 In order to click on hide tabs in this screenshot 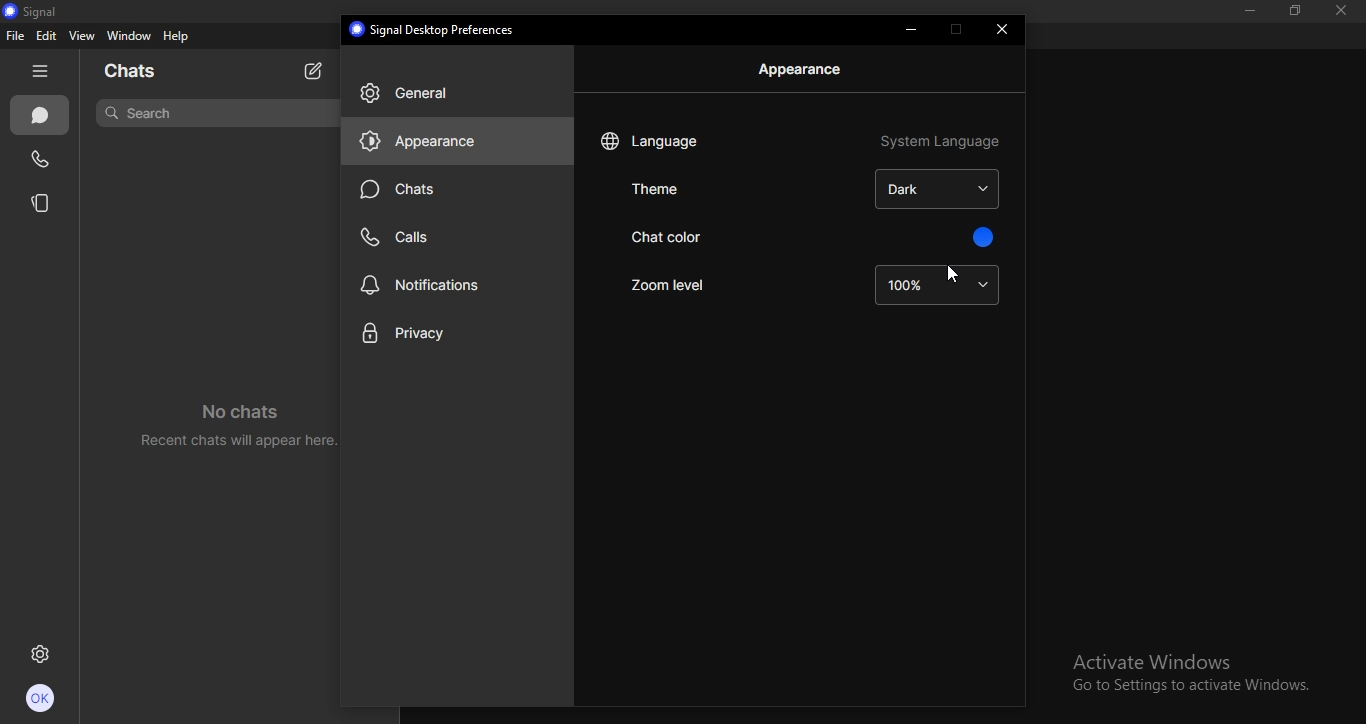, I will do `click(40, 73)`.